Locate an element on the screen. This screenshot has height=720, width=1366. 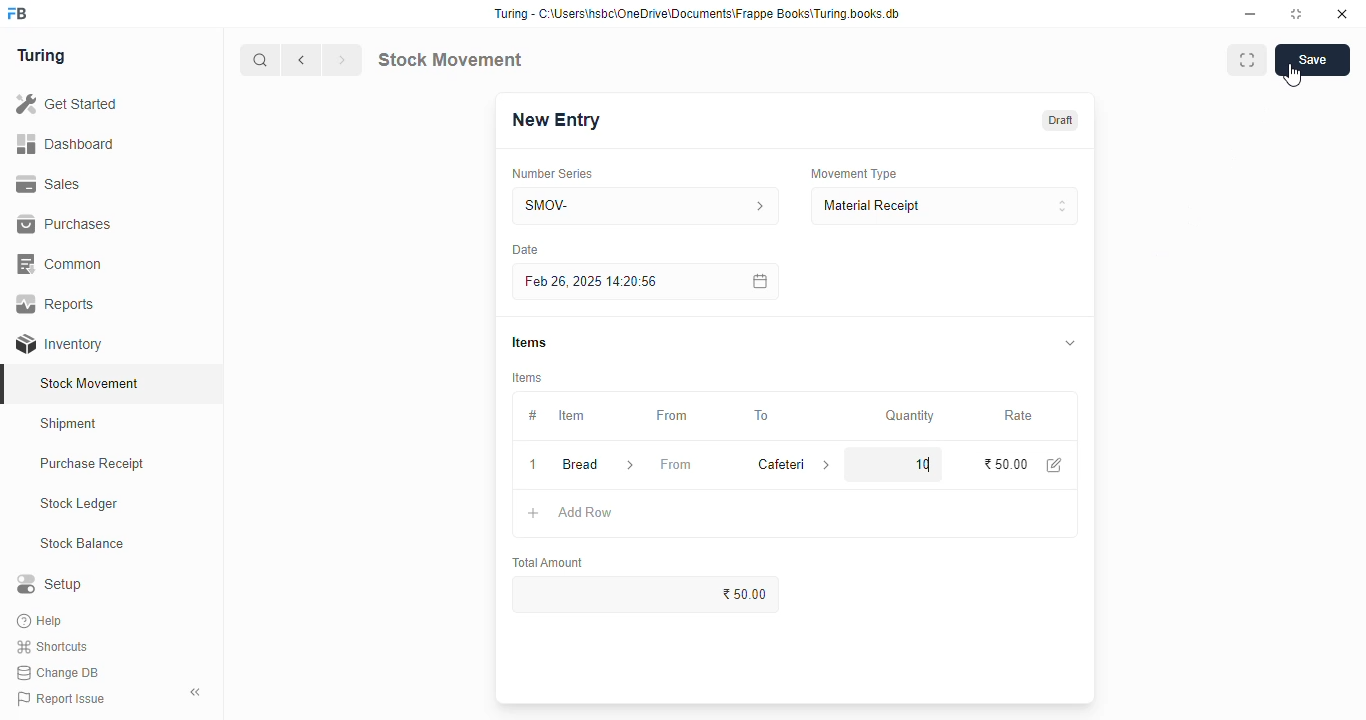
cafeteria information is located at coordinates (828, 464).